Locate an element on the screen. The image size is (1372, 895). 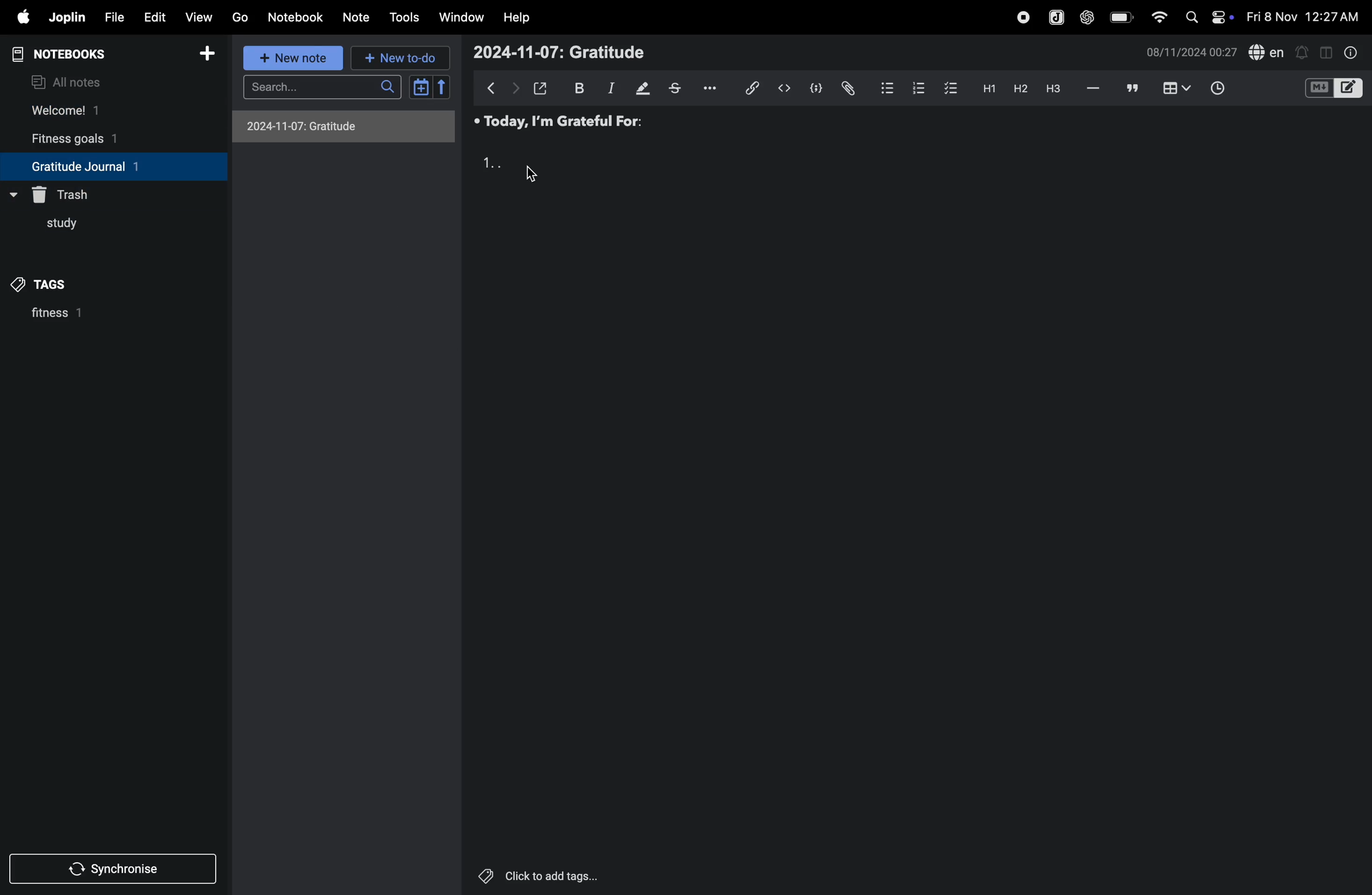
all notes is located at coordinates (70, 81).